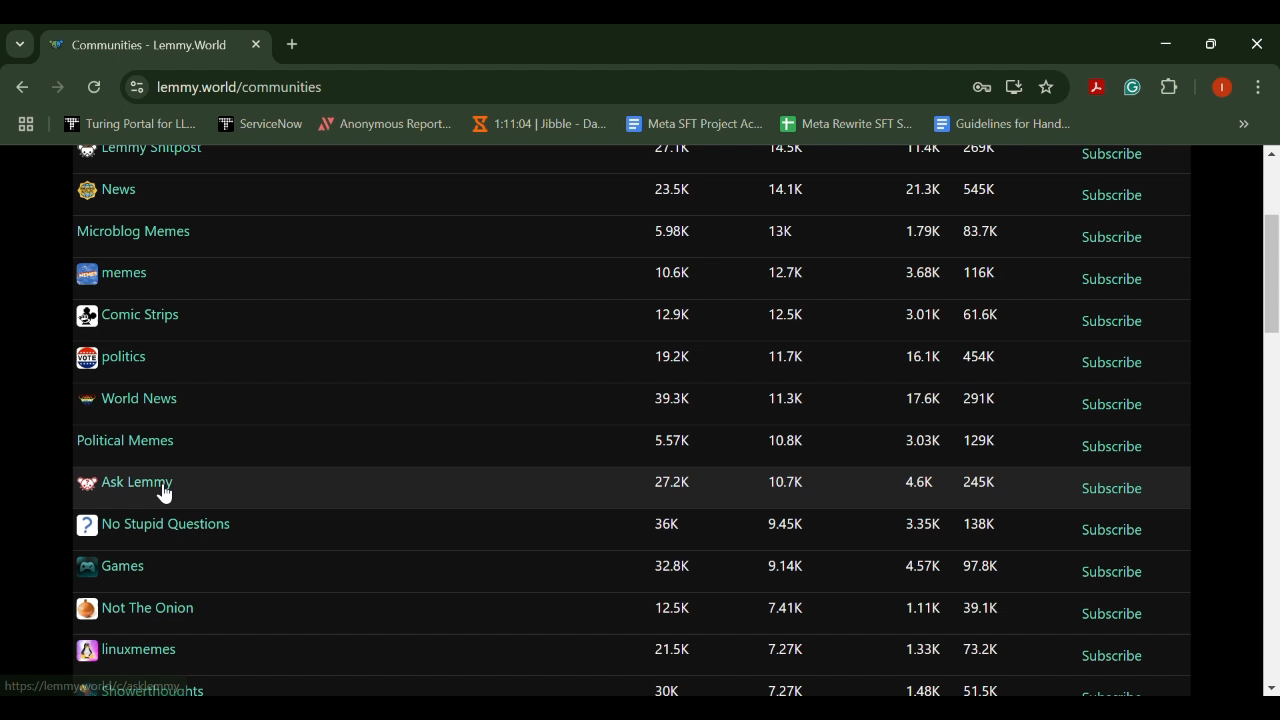  Describe the element at coordinates (921, 443) in the screenshot. I see `3.03K` at that location.